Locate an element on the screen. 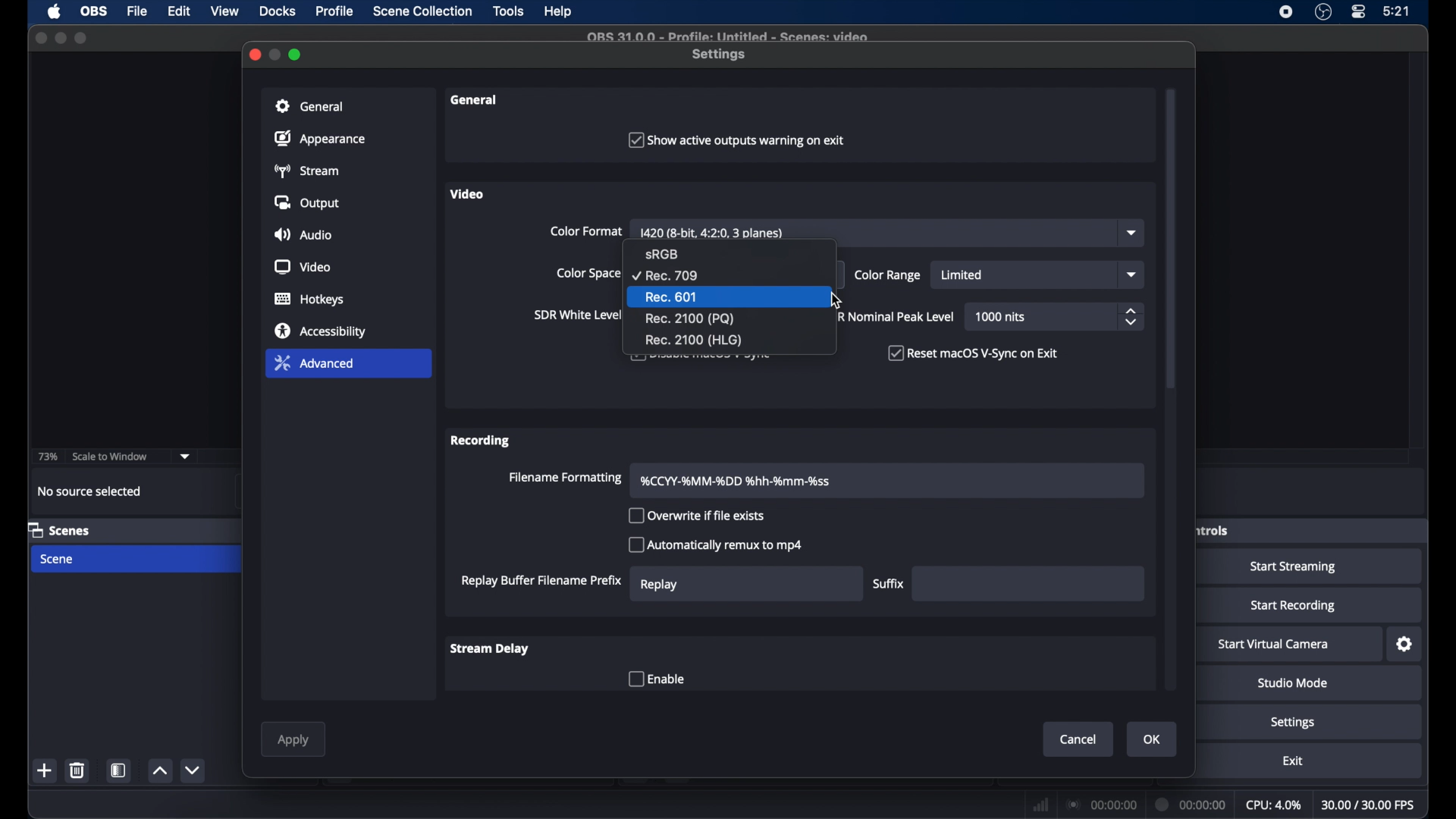 The image size is (1456, 819). suffix is located at coordinates (890, 584).